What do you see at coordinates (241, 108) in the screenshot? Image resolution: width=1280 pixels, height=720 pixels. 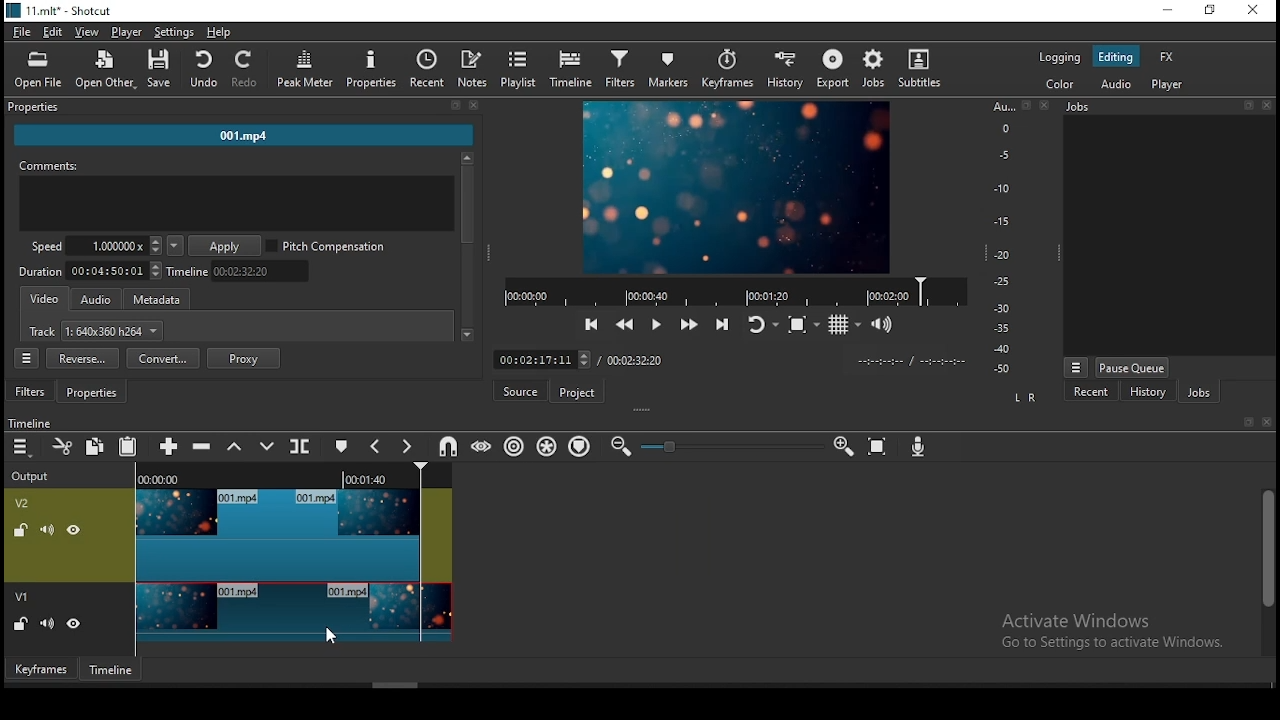 I see `properties` at bounding box center [241, 108].